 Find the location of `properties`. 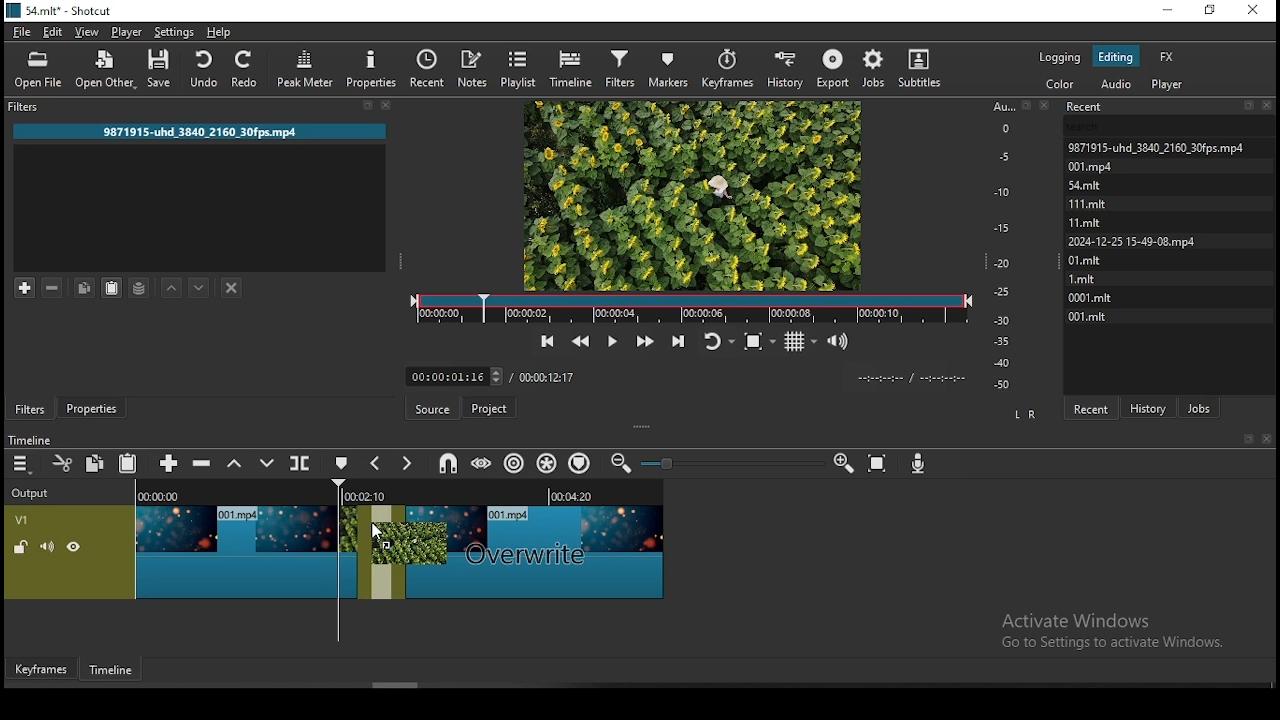

properties is located at coordinates (89, 409).